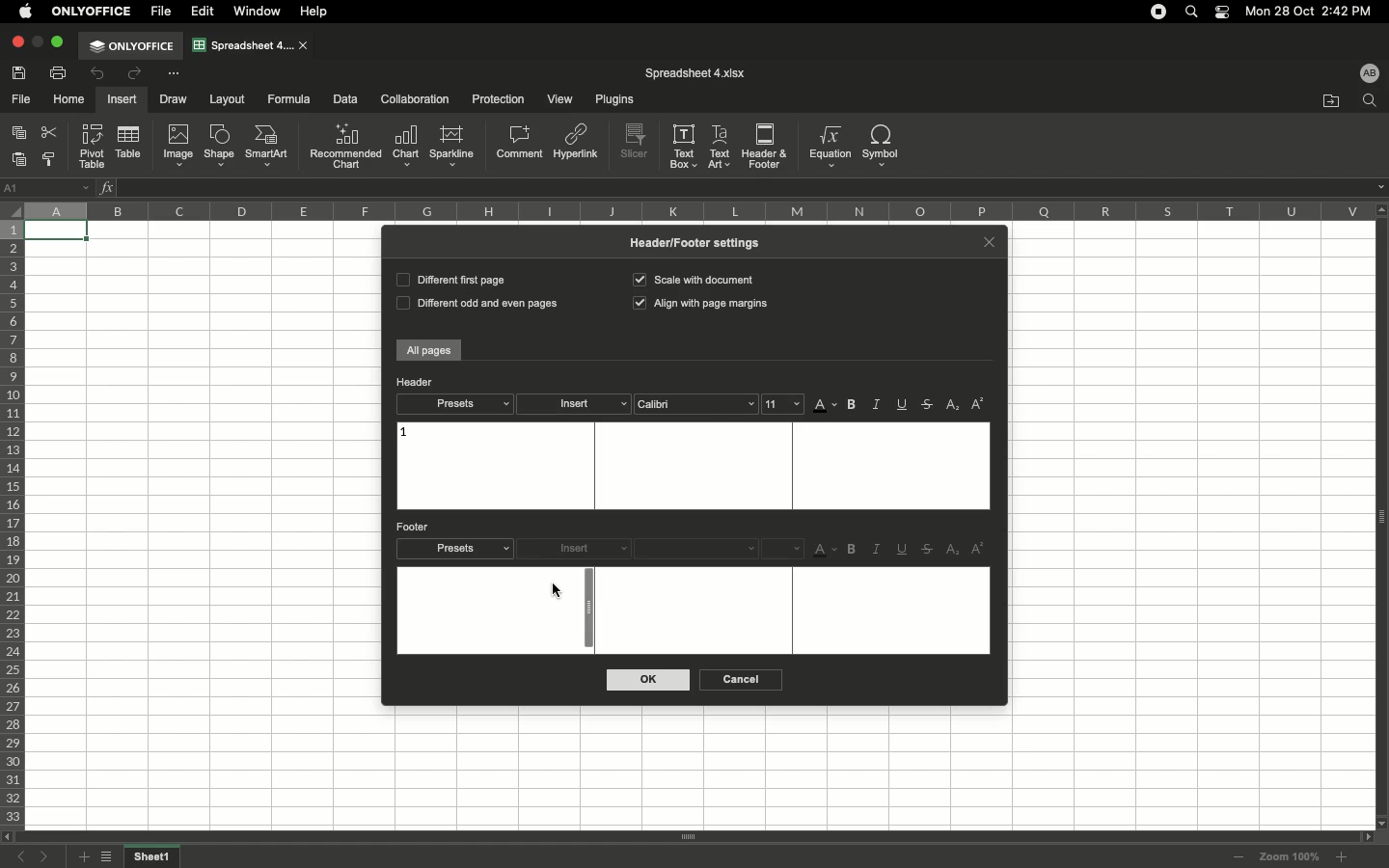 The width and height of the screenshot is (1389, 868). Describe the element at coordinates (928, 550) in the screenshot. I see `Strikethrough` at that location.